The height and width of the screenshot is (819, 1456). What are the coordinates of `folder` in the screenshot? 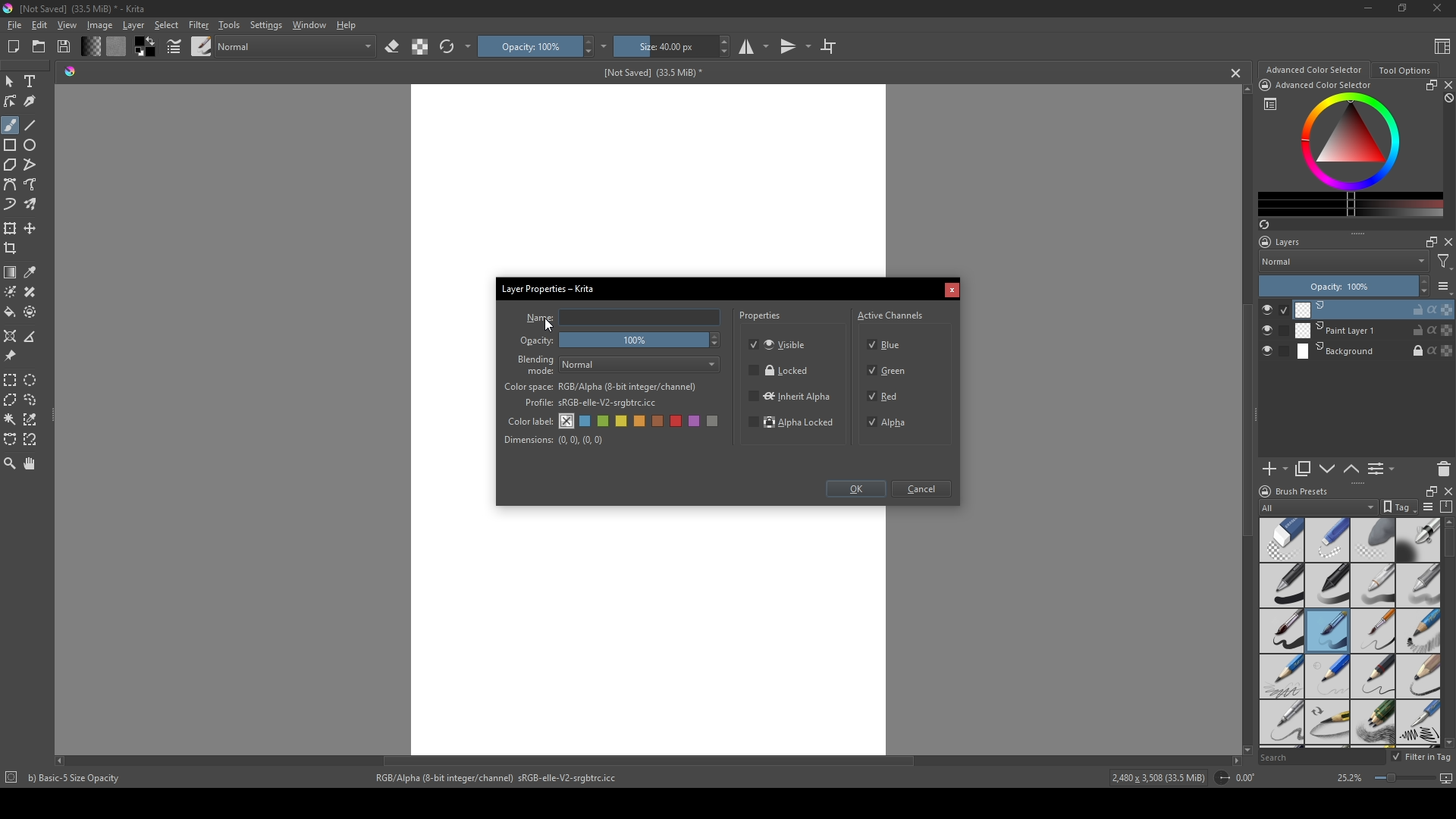 It's located at (39, 47).